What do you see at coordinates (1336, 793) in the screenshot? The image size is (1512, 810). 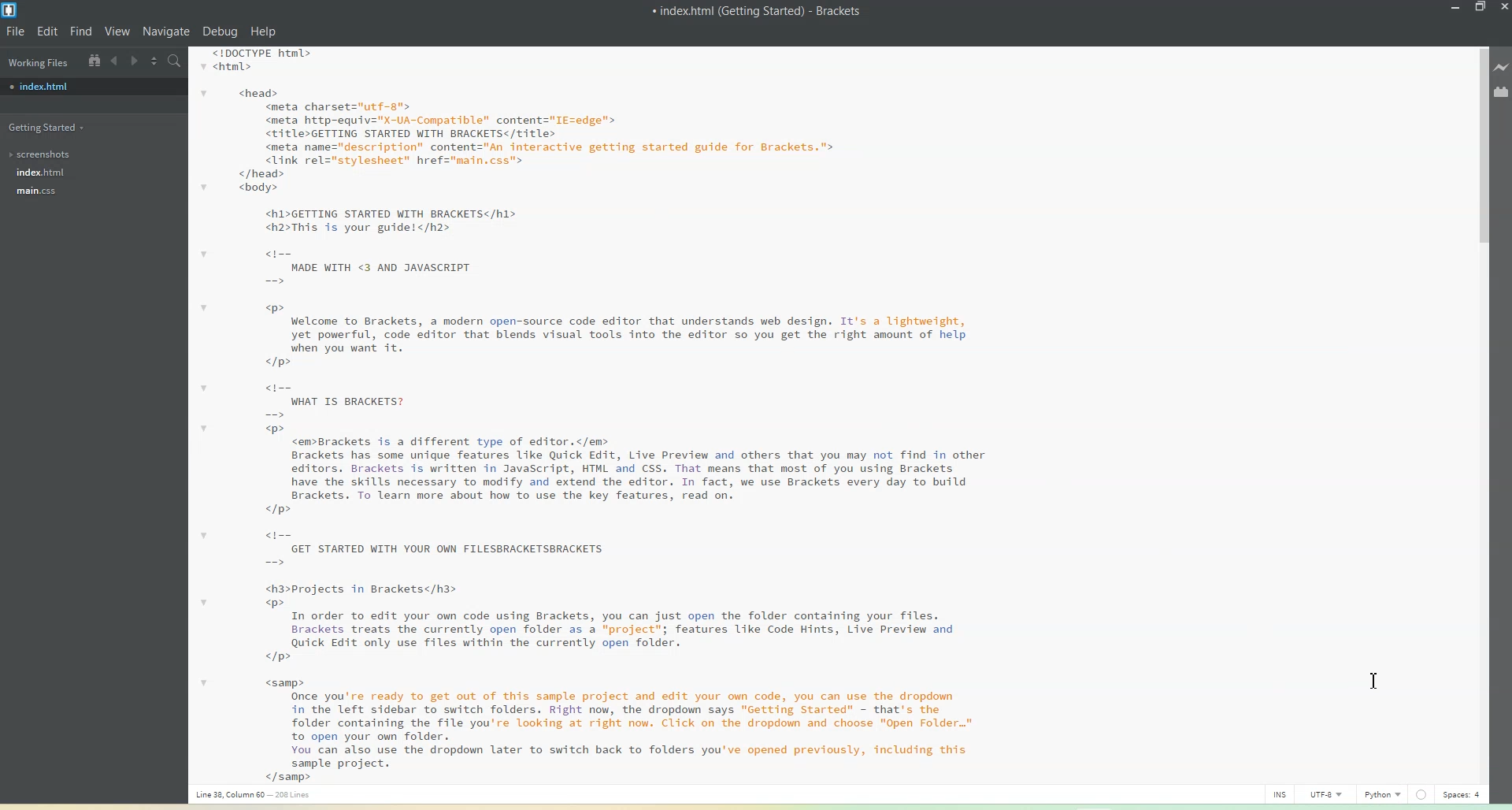 I see `UTF-8` at bounding box center [1336, 793].